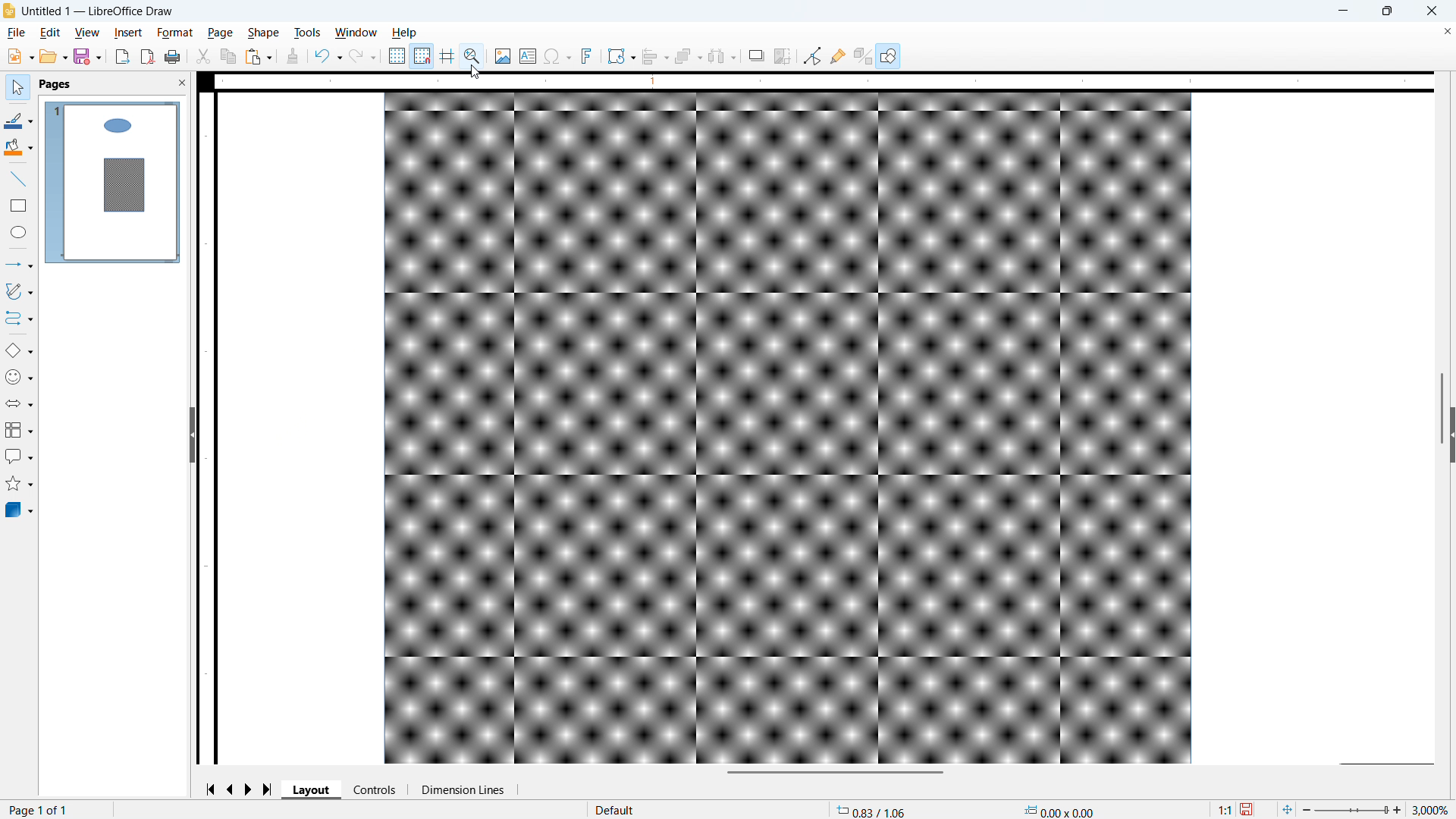 The height and width of the screenshot is (819, 1456). What do you see at coordinates (1248, 809) in the screenshot?
I see `save ` at bounding box center [1248, 809].